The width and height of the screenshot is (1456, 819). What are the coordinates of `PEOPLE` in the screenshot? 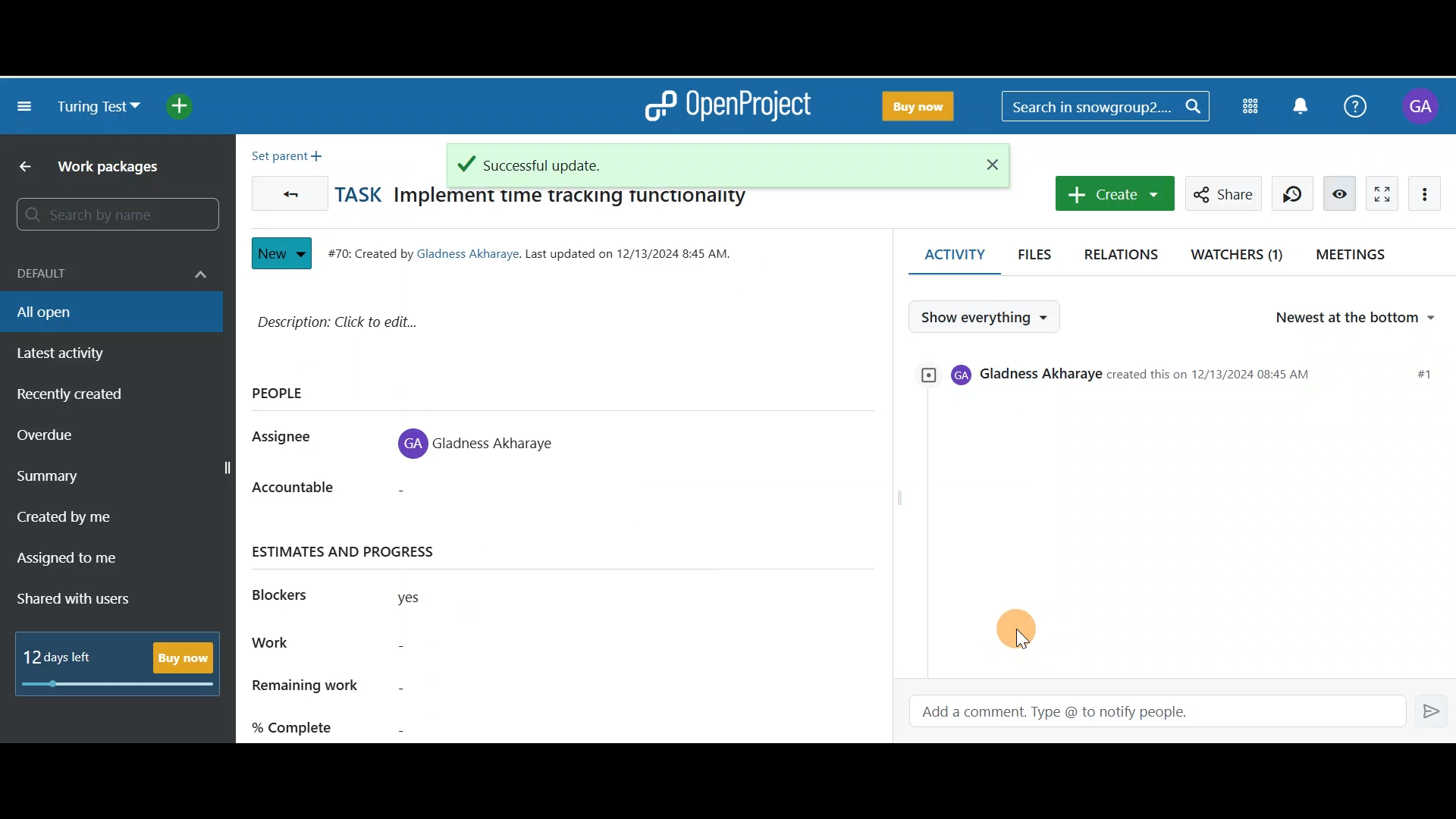 It's located at (288, 394).